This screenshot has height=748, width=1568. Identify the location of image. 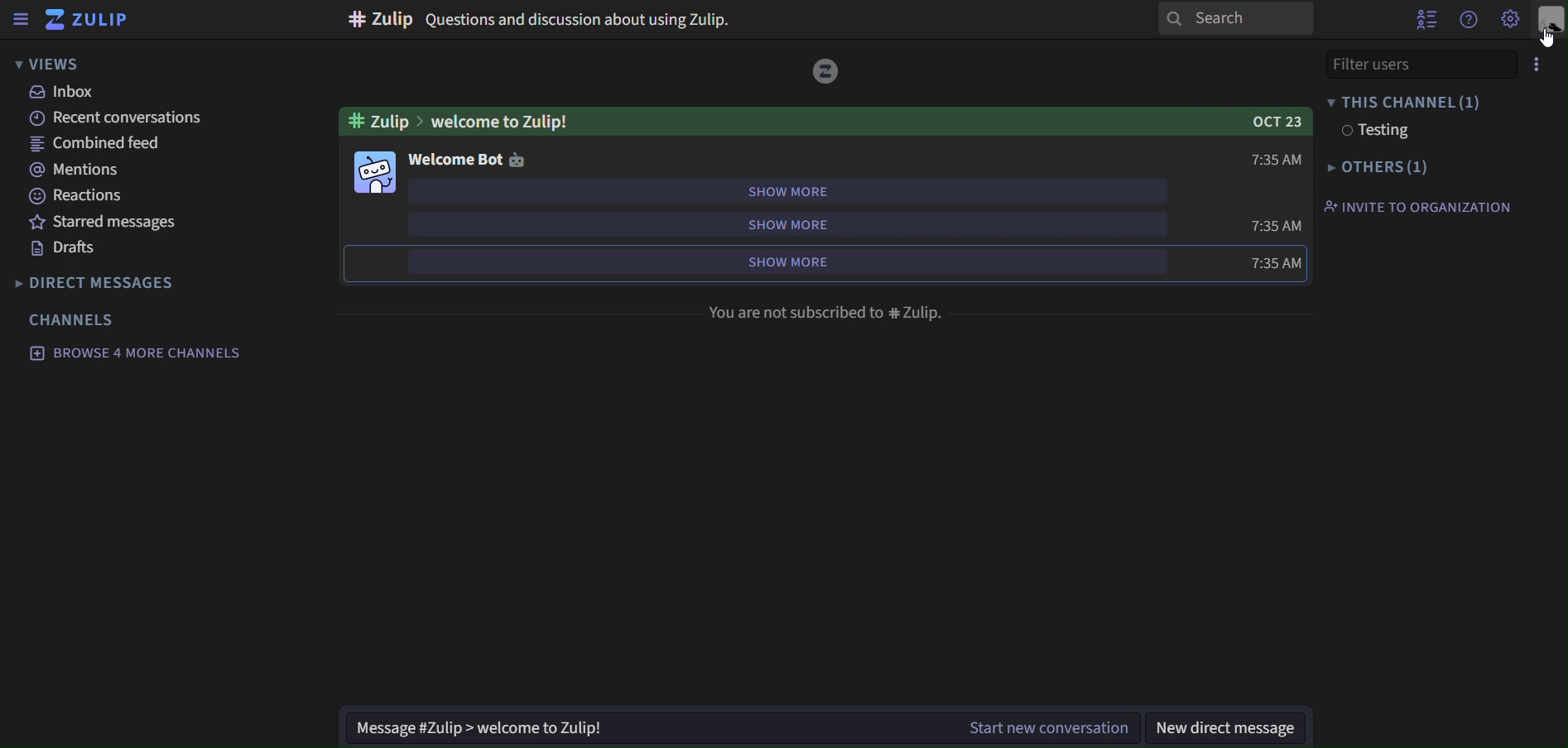
(828, 70).